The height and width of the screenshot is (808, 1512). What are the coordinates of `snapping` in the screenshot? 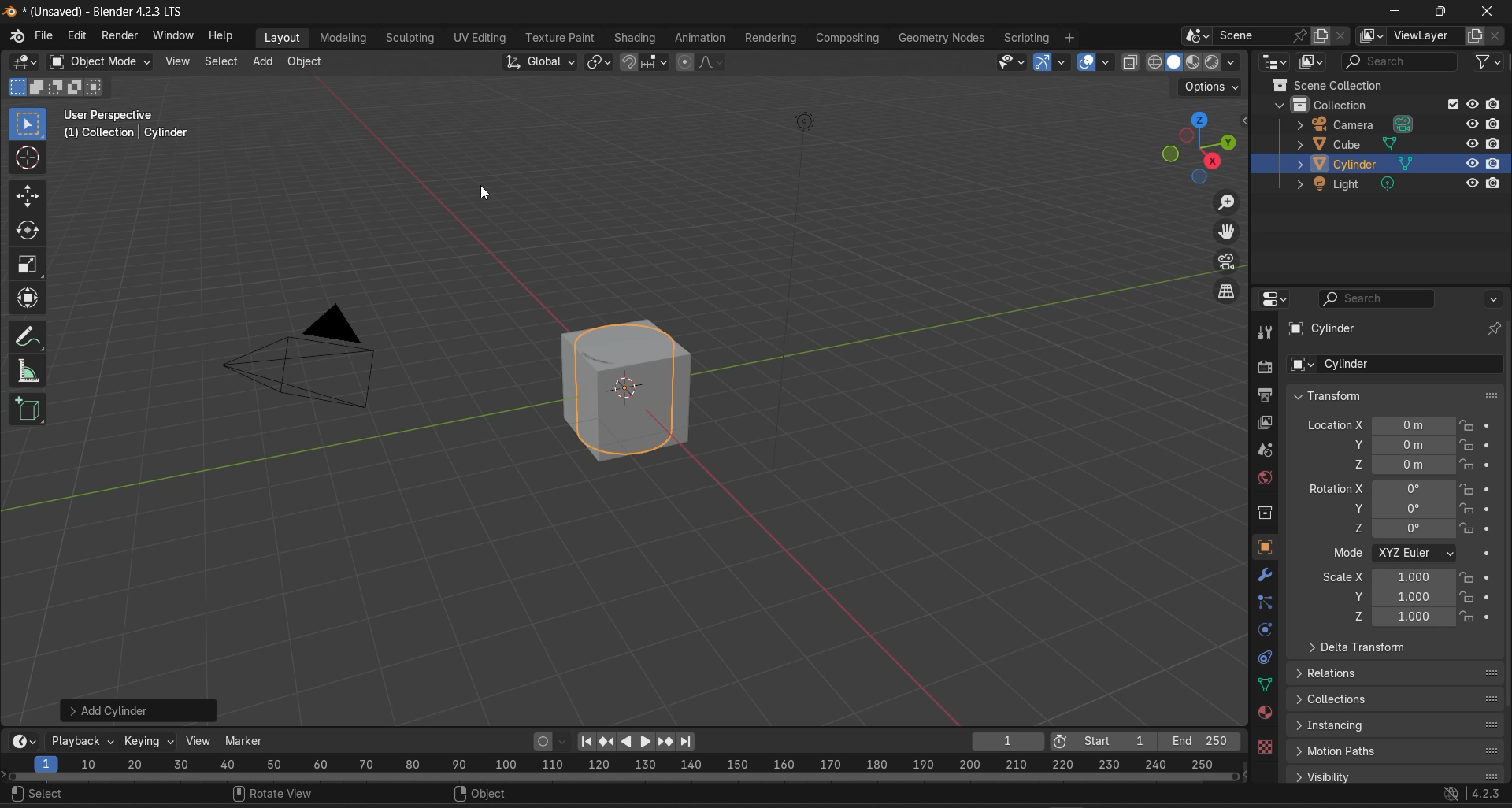 It's located at (657, 61).